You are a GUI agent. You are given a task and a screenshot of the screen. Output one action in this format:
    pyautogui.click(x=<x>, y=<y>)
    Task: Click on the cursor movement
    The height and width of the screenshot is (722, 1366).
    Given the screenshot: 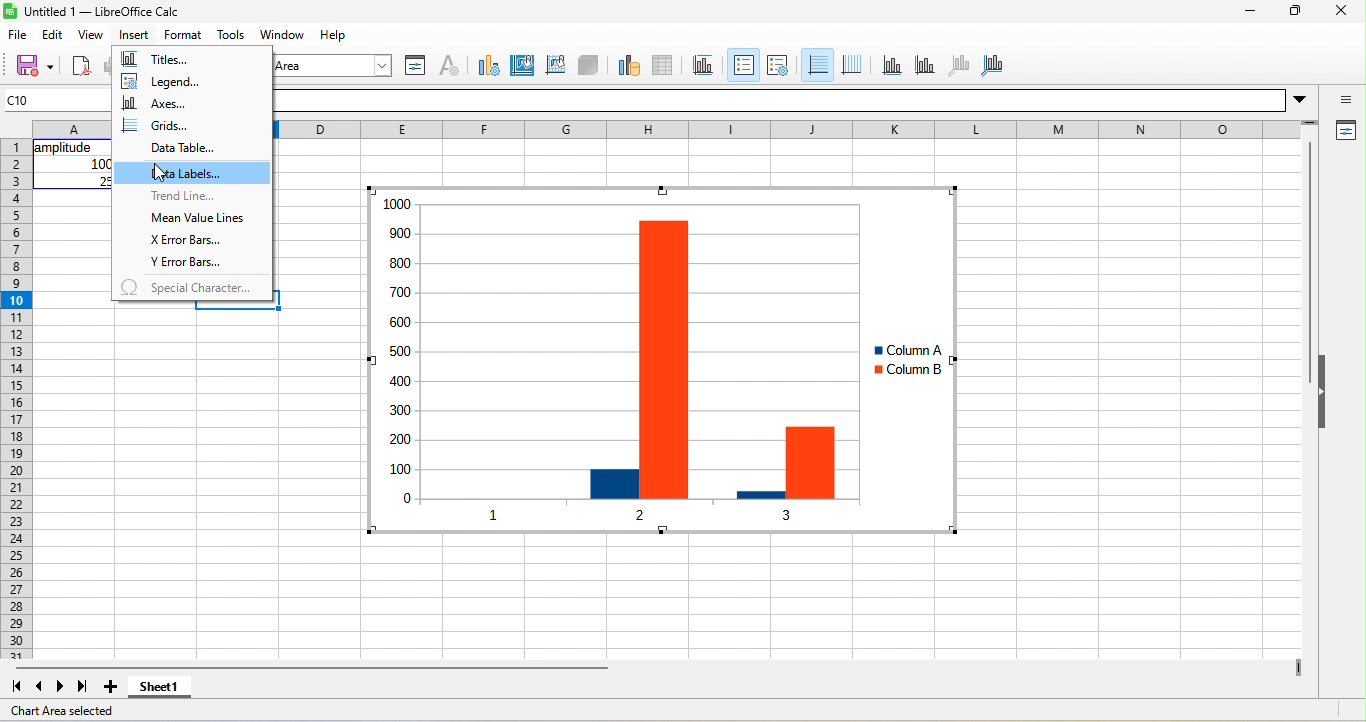 What is the action you would take?
    pyautogui.click(x=166, y=174)
    